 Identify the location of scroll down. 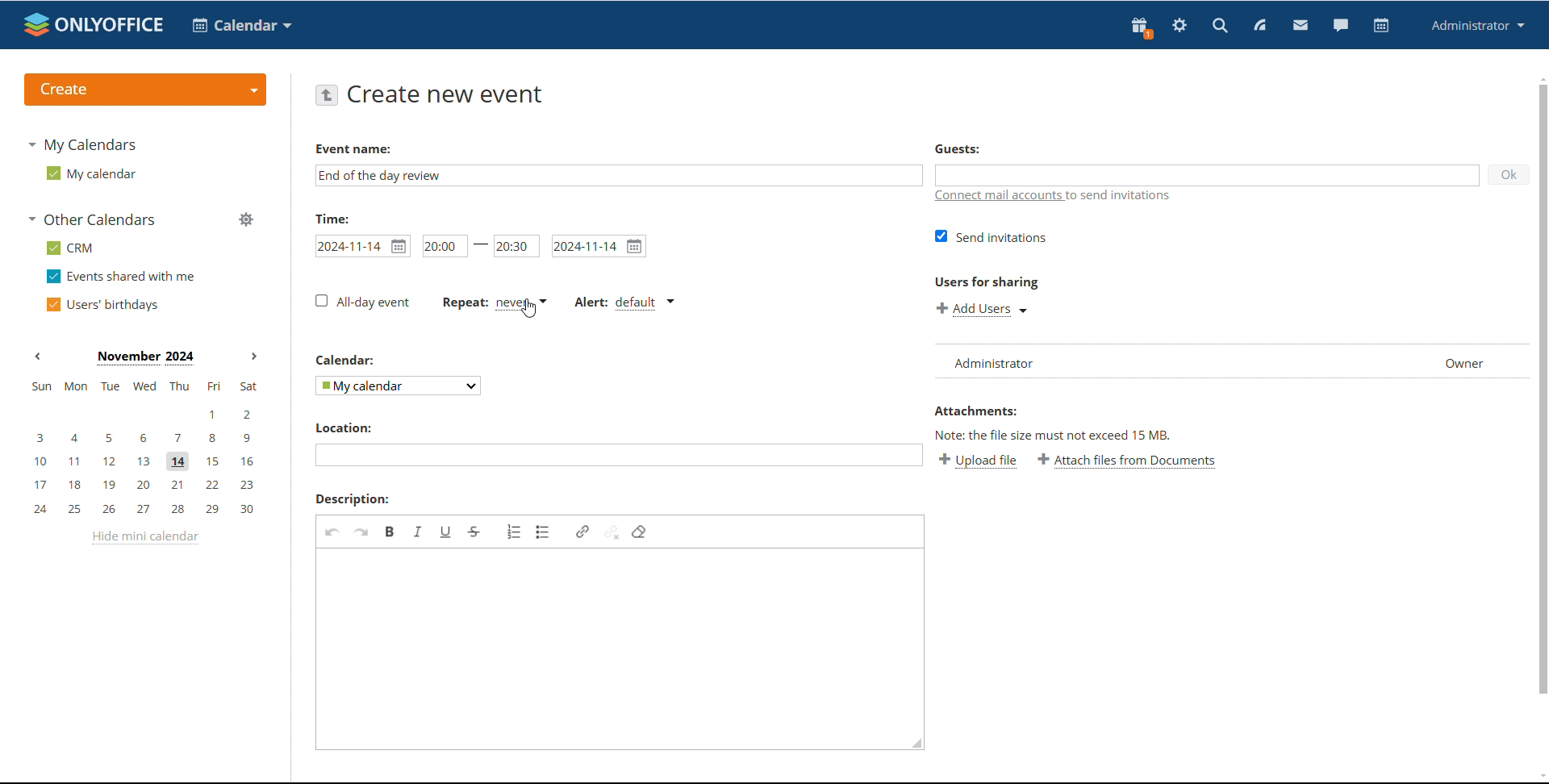
(1539, 778).